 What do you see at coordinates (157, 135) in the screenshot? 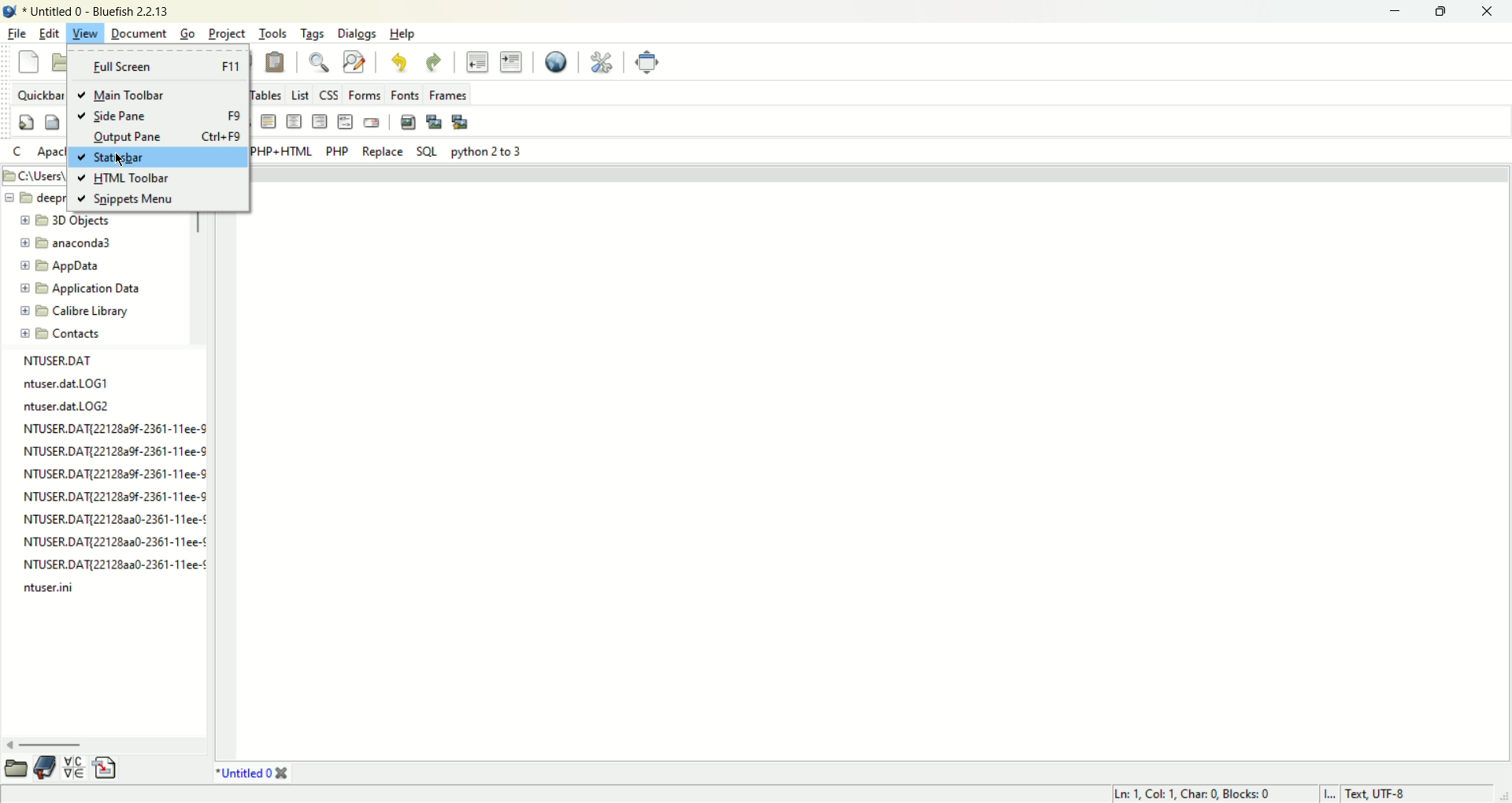
I see `output pane` at bounding box center [157, 135].